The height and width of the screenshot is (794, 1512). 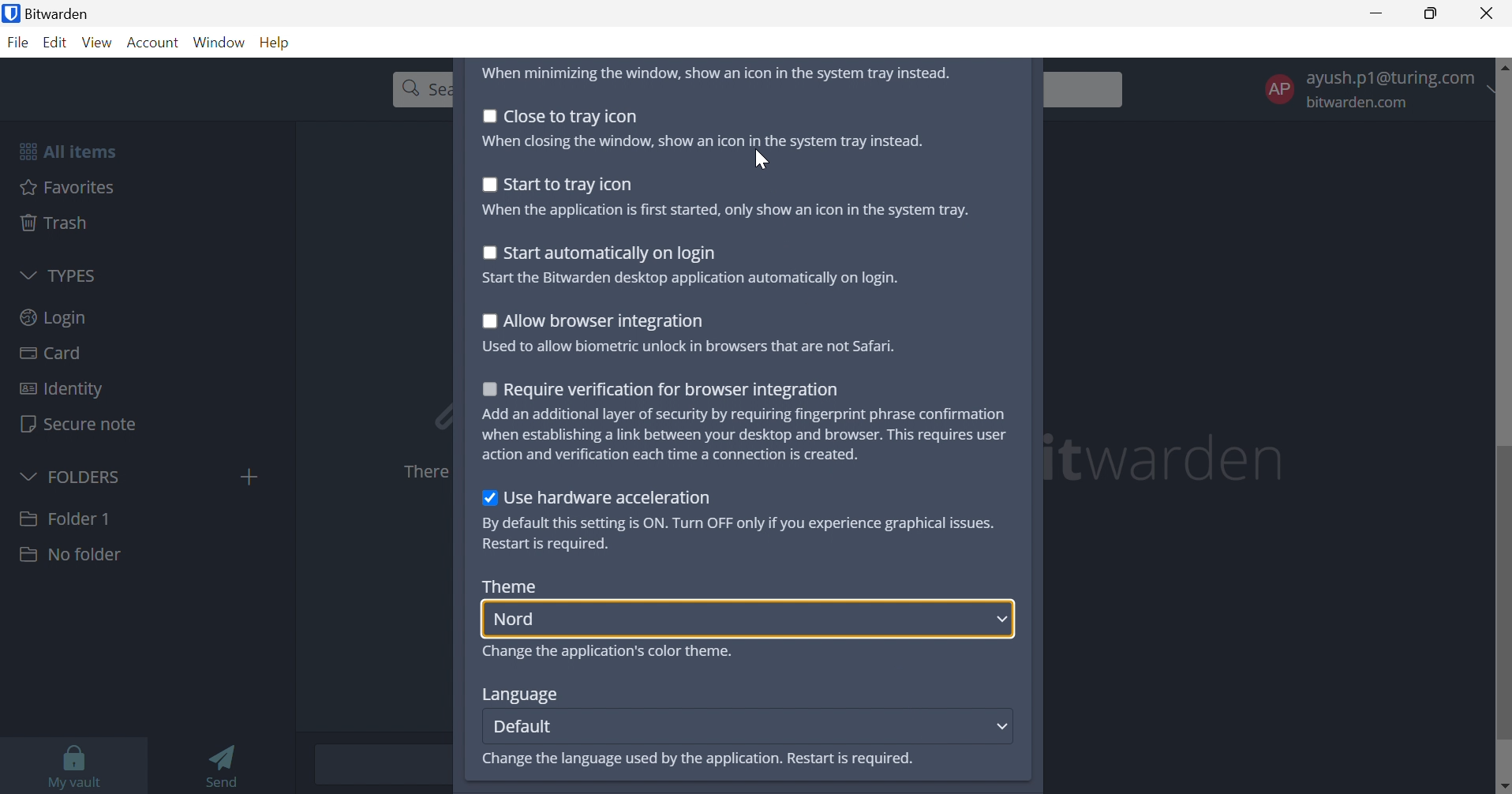 What do you see at coordinates (487, 184) in the screenshot?
I see `Checkbox` at bounding box center [487, 184].